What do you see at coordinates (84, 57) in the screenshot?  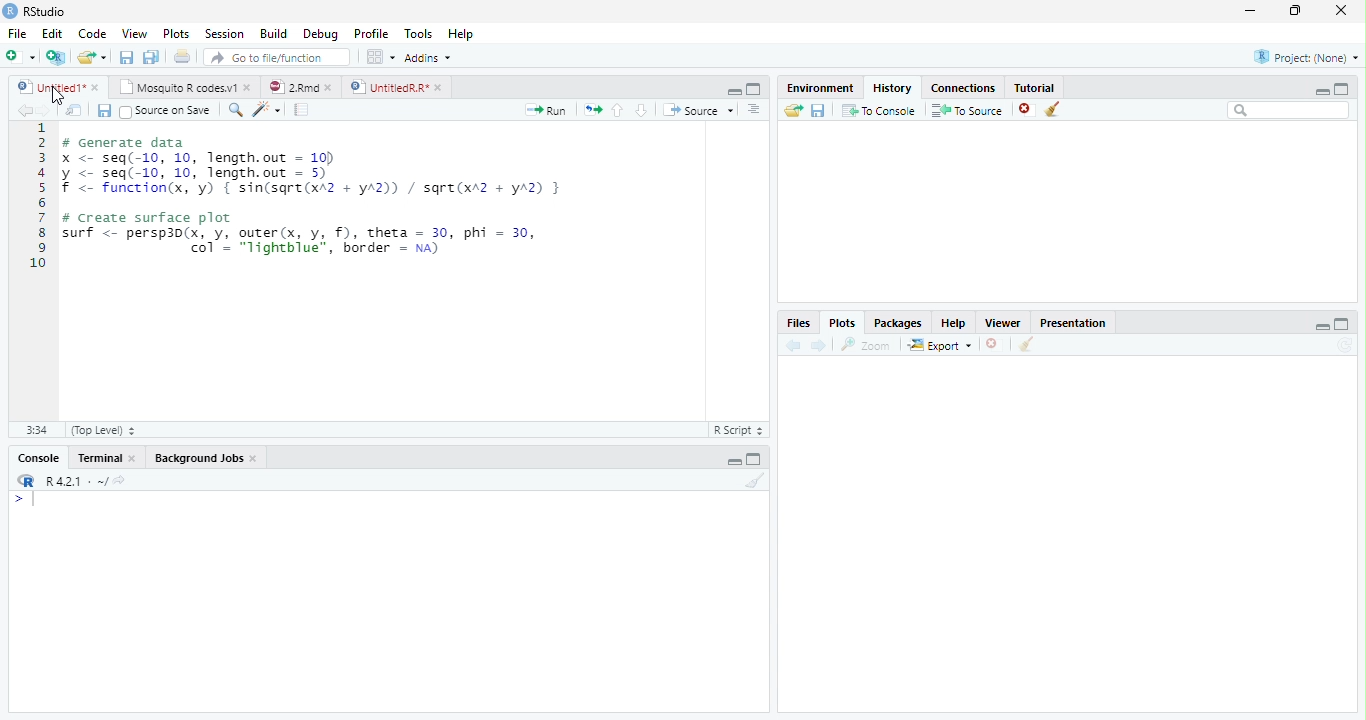 I see `Open an existing file` at bounding box center [84, 57].